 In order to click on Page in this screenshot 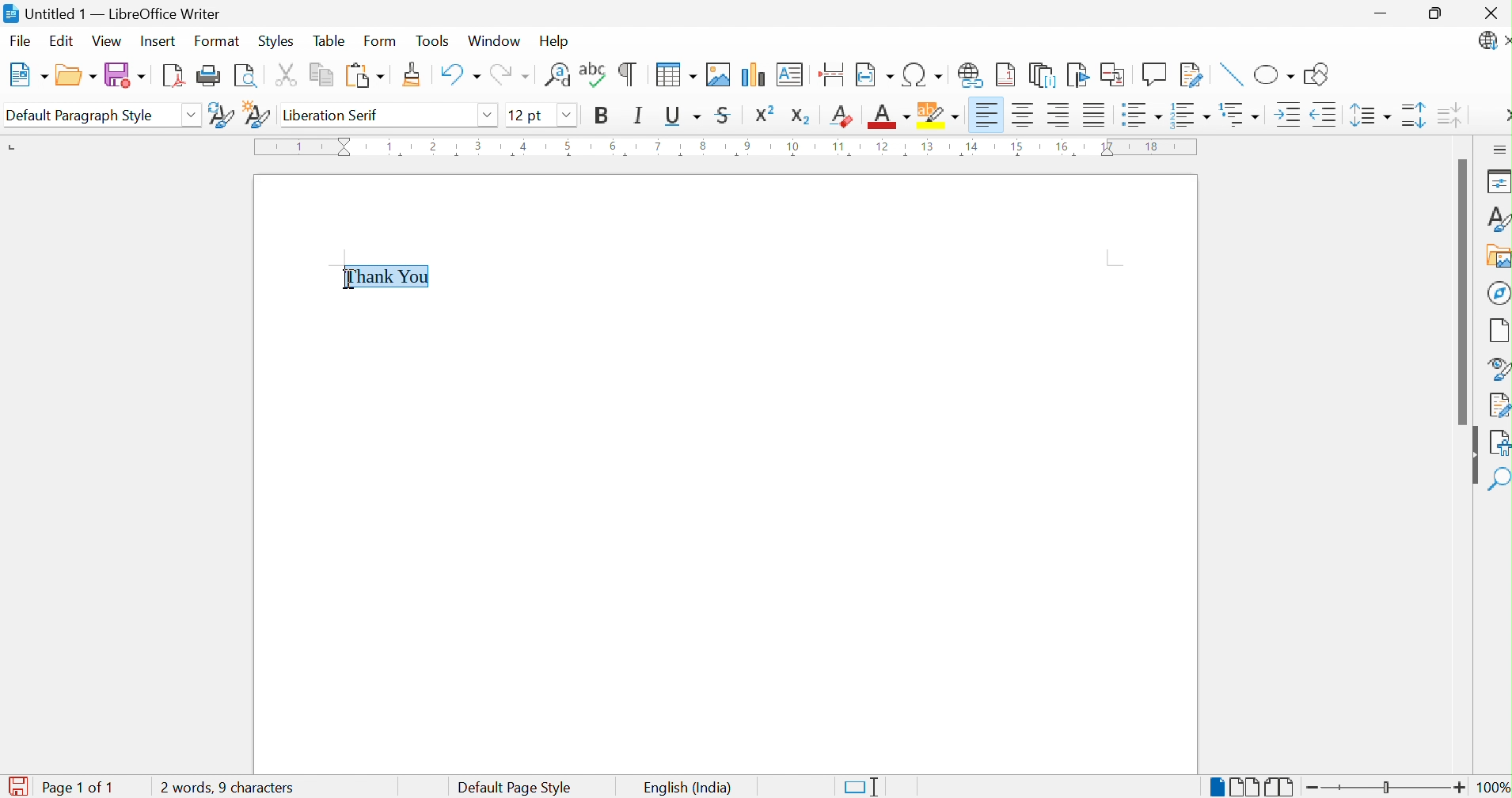, I will do `click(1498, 330)`.